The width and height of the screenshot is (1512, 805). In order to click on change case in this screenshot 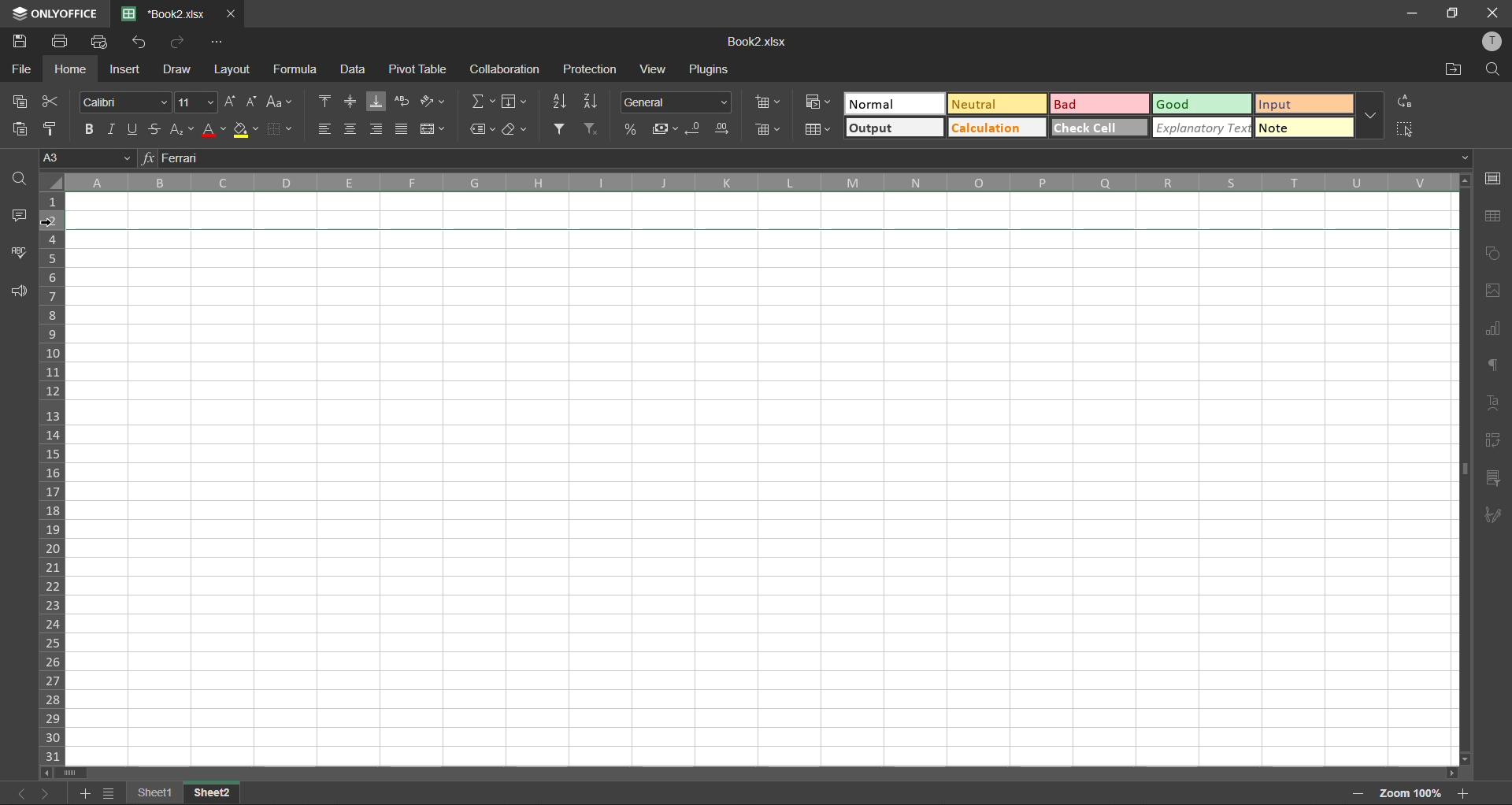, I will do `click(282, 104)`.